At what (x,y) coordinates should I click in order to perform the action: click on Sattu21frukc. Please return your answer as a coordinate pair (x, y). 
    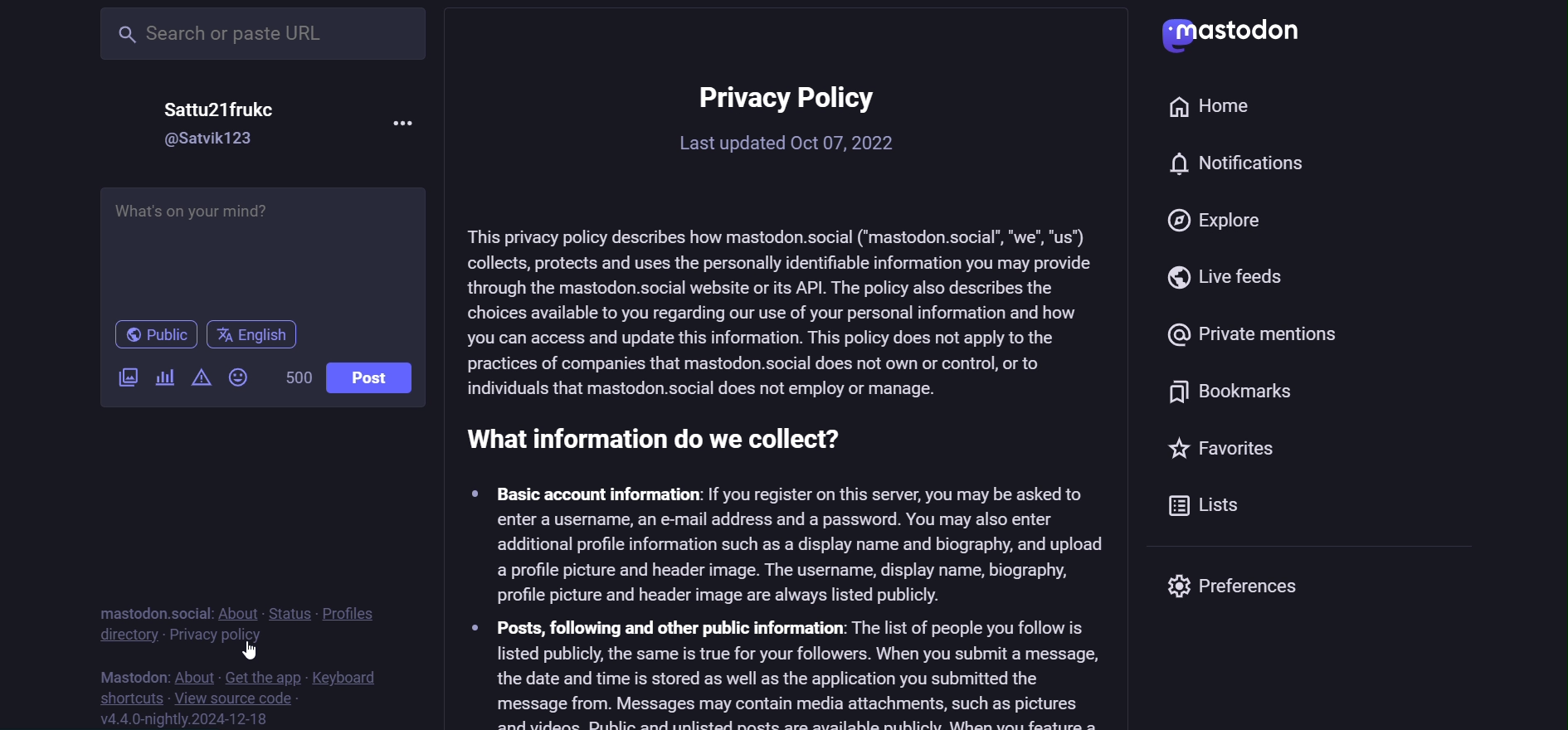
    Looking at the image, I should click on (220, 106).